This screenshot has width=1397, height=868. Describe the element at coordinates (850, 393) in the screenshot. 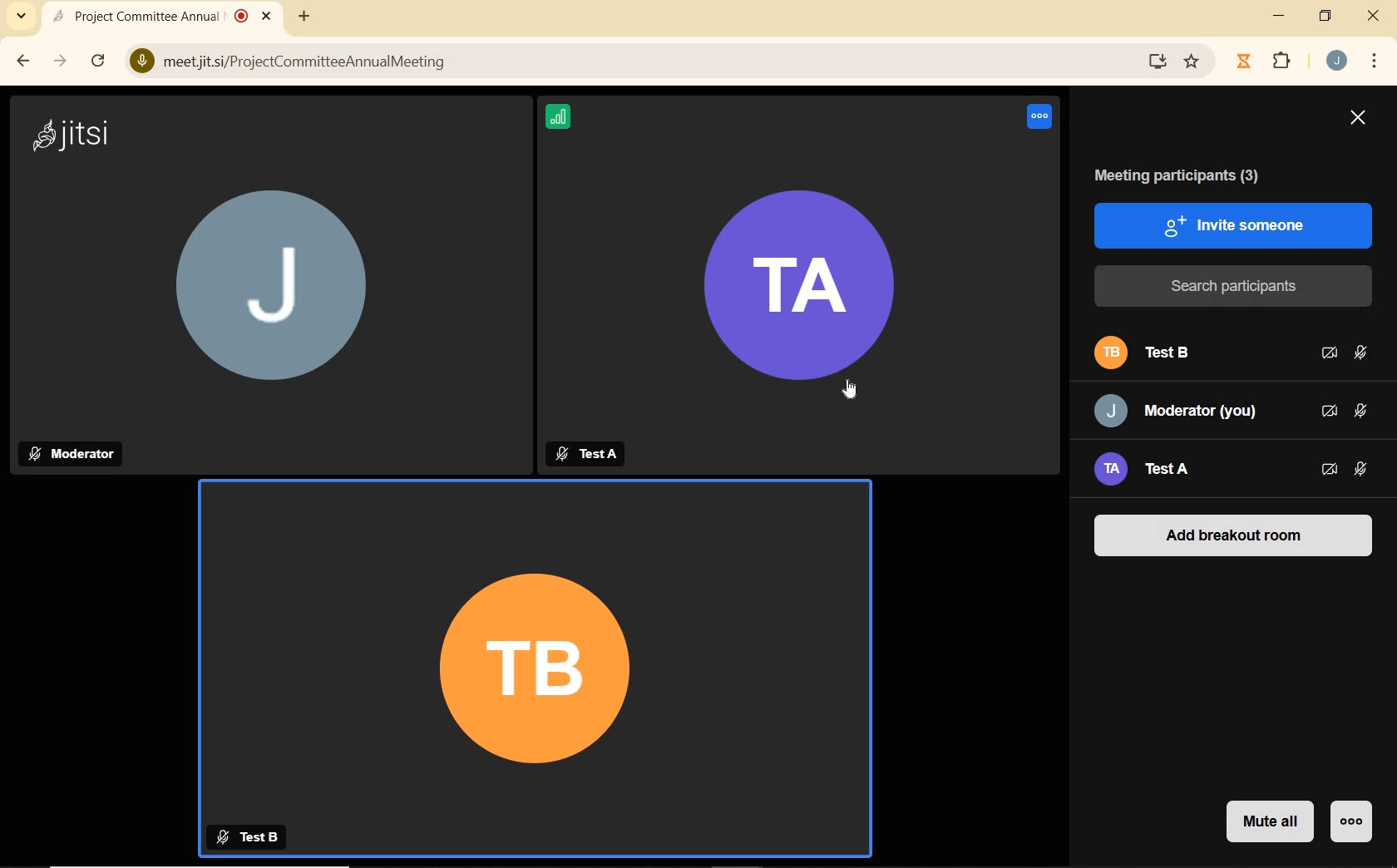

I see `CURSOR` at that location.